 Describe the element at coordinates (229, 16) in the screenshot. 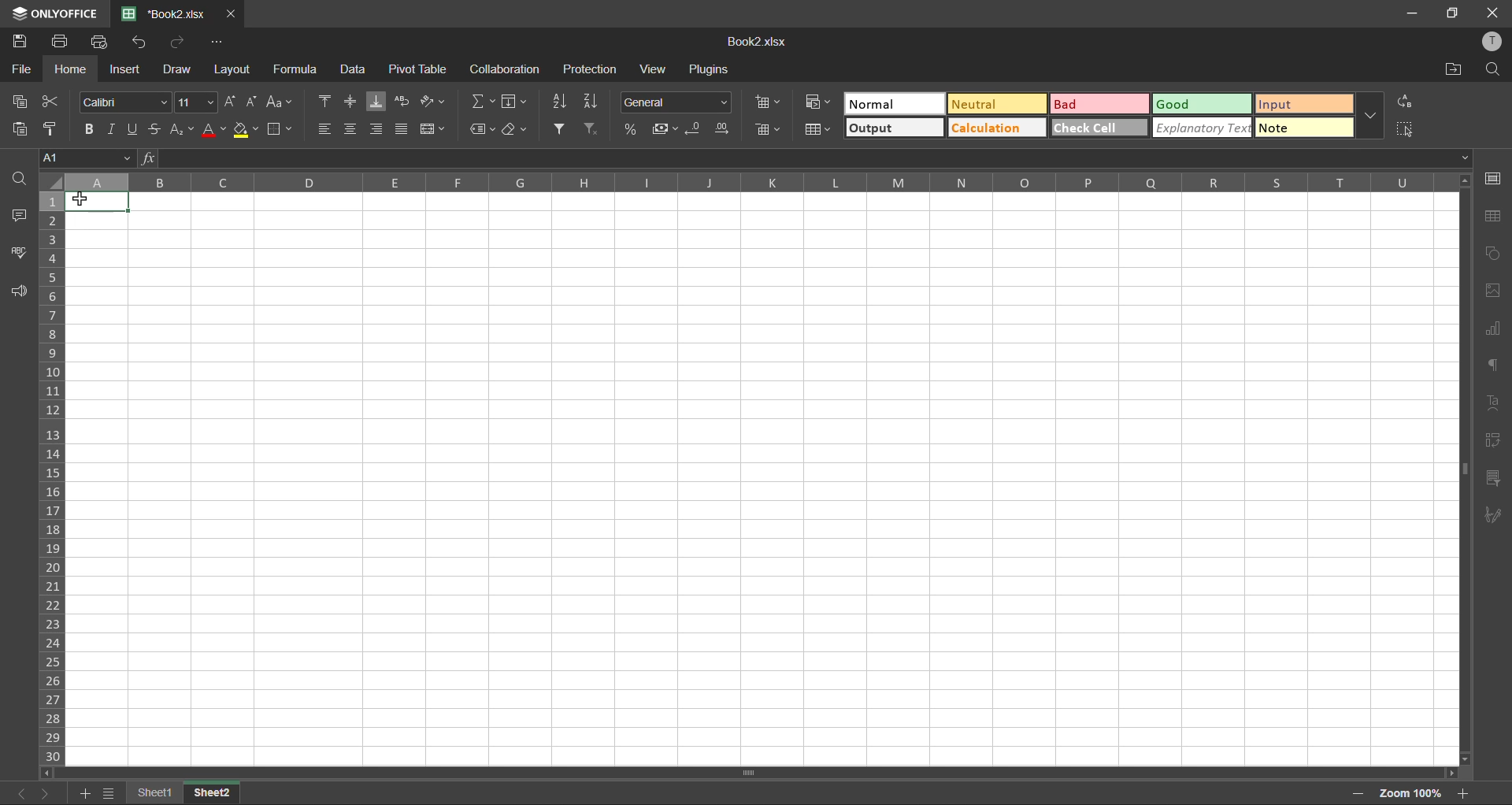

I see `close tab` at that location.